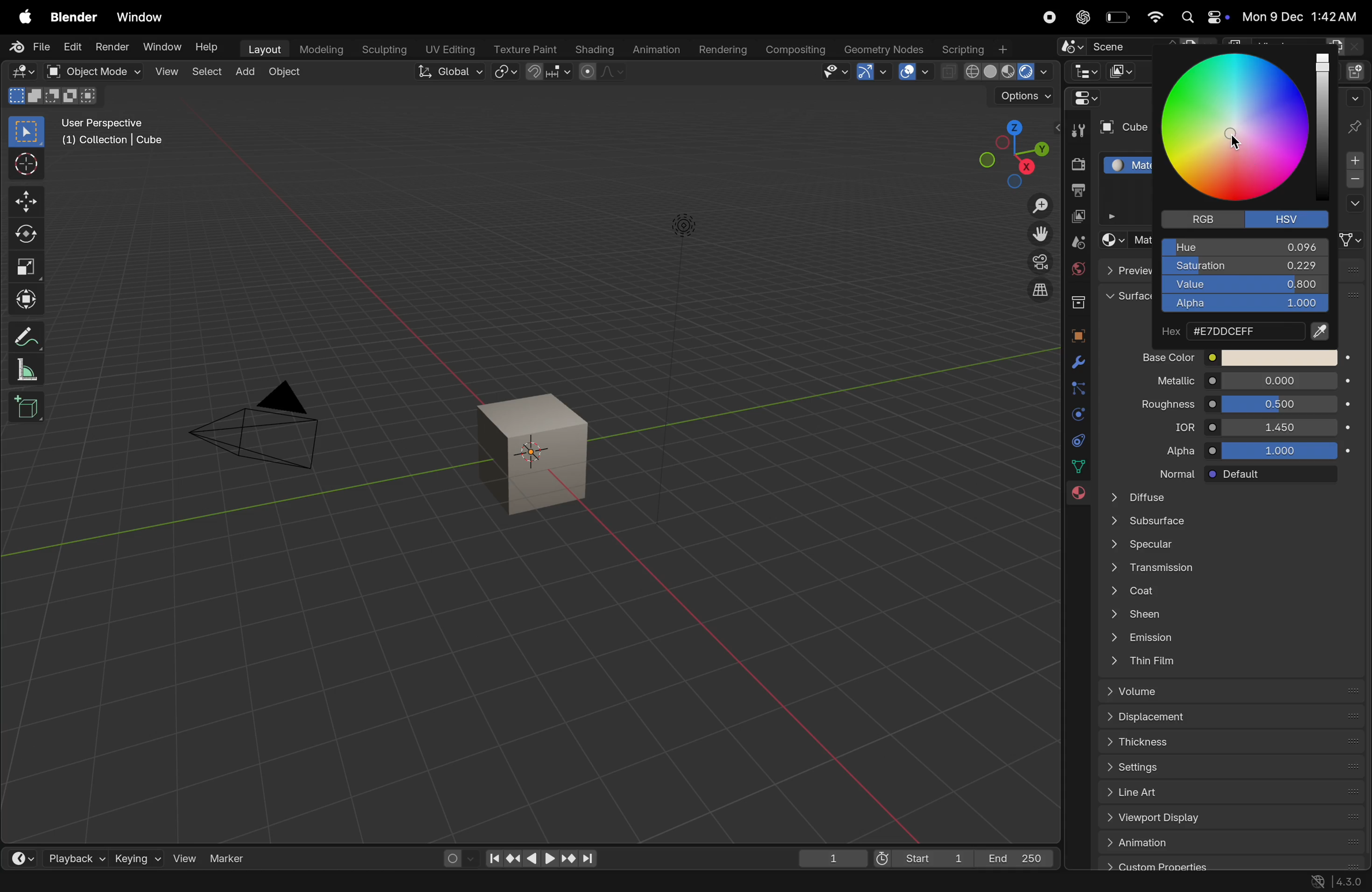  I want to click on snap, so click(548, 73).